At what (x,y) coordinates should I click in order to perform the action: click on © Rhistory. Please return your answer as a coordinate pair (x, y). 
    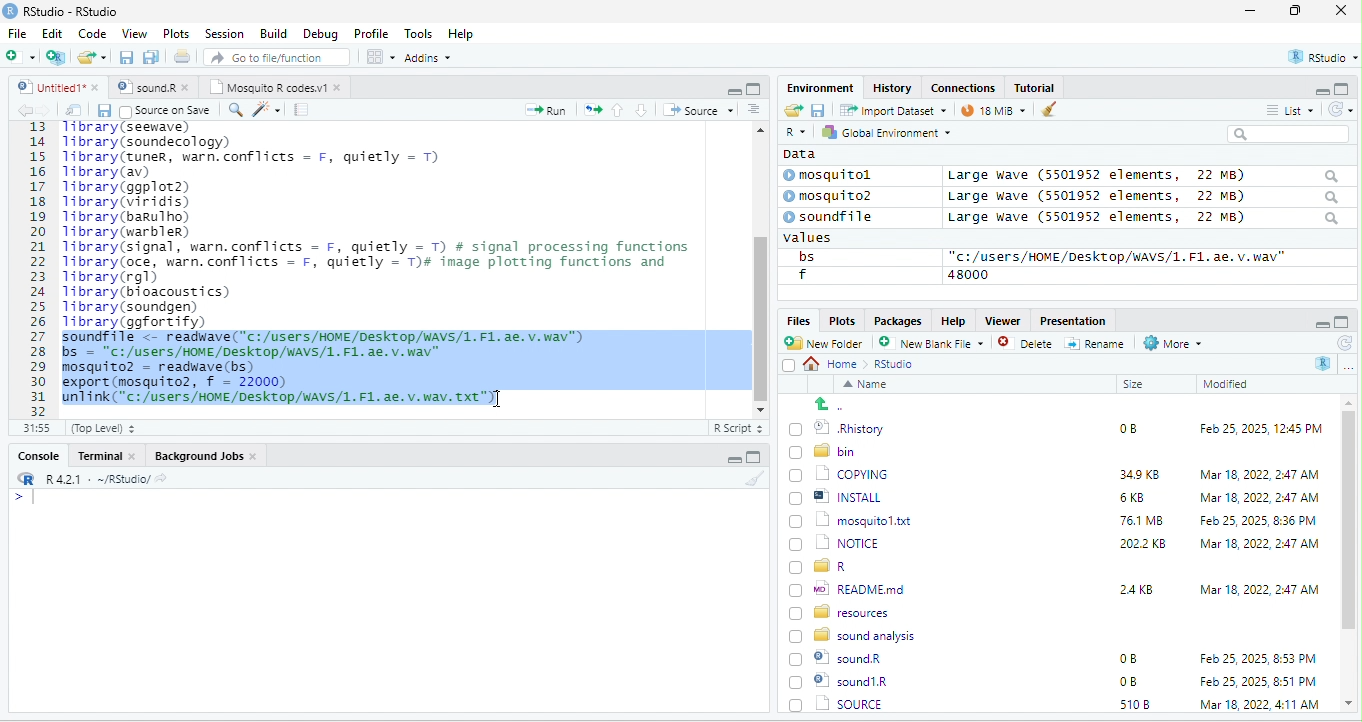
    Looking at the image, I should click on (838, 426).